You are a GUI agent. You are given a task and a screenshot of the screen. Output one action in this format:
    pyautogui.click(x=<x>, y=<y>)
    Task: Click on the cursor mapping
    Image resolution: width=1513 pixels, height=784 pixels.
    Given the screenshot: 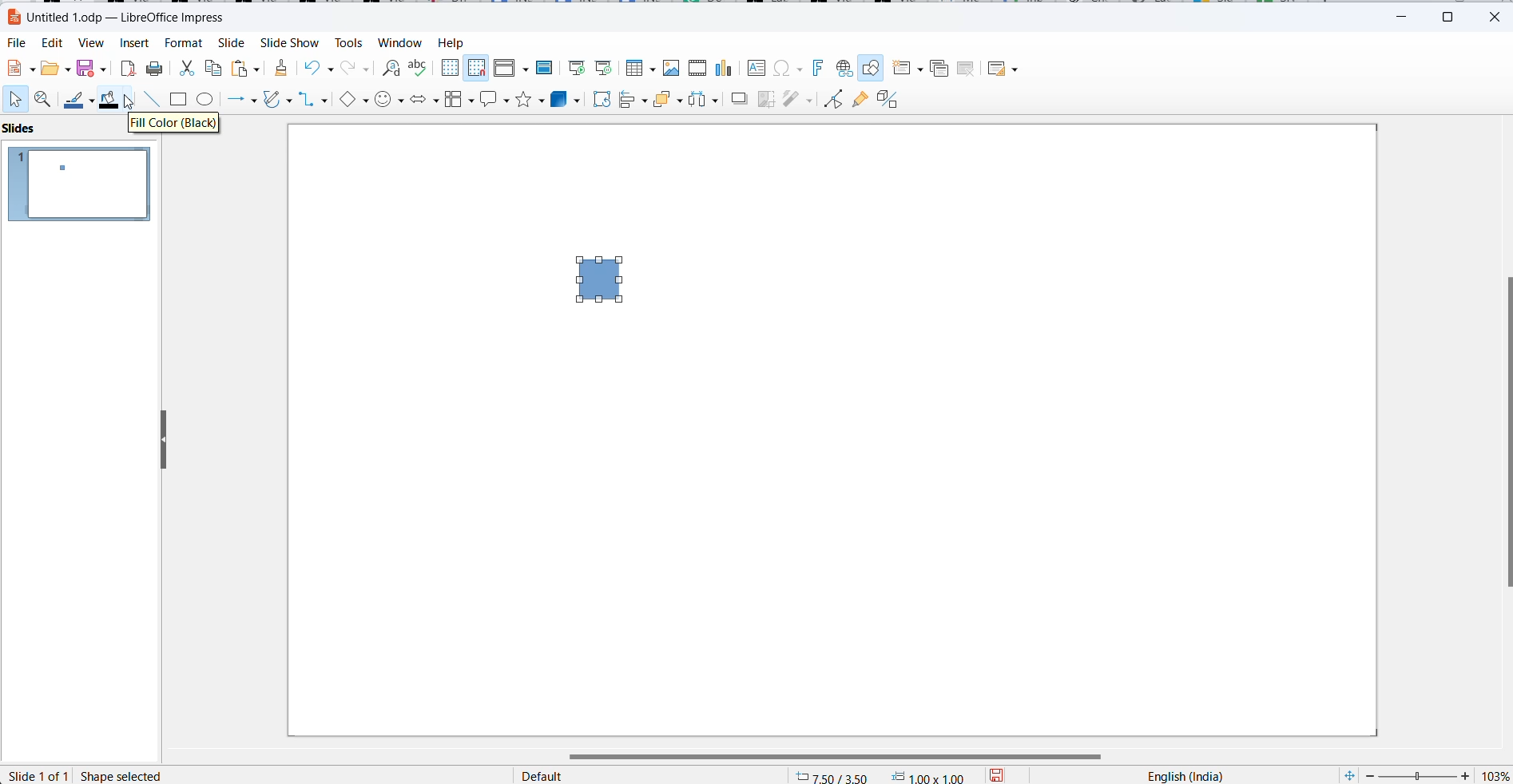 What is the action you would take?
    pyautogui.click(x=882, y=775)
    